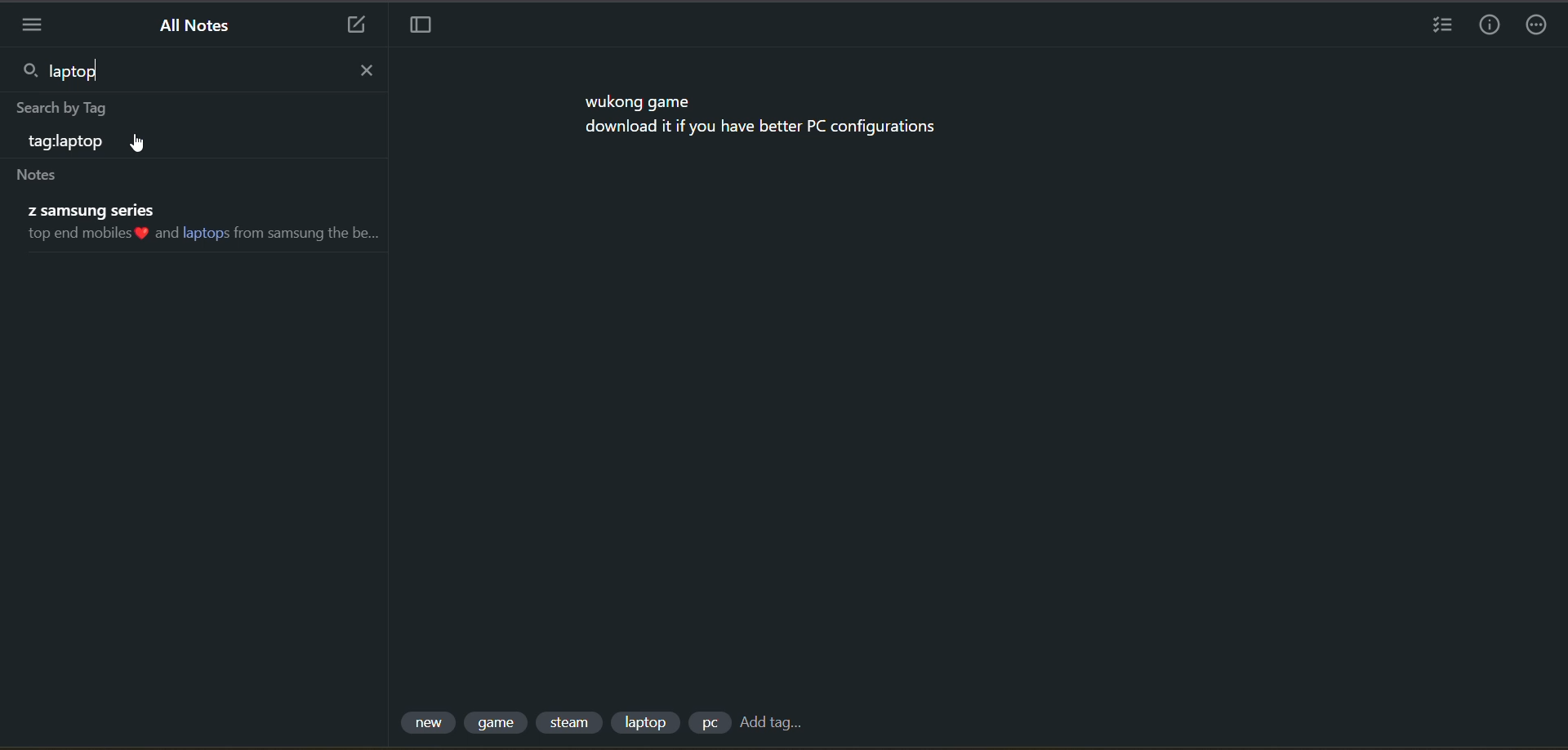 The width and height of the screenshot is (1568, 750). Describe the element at coordinates (646, 721) in the screenshot. I see `tag 4` at that location.